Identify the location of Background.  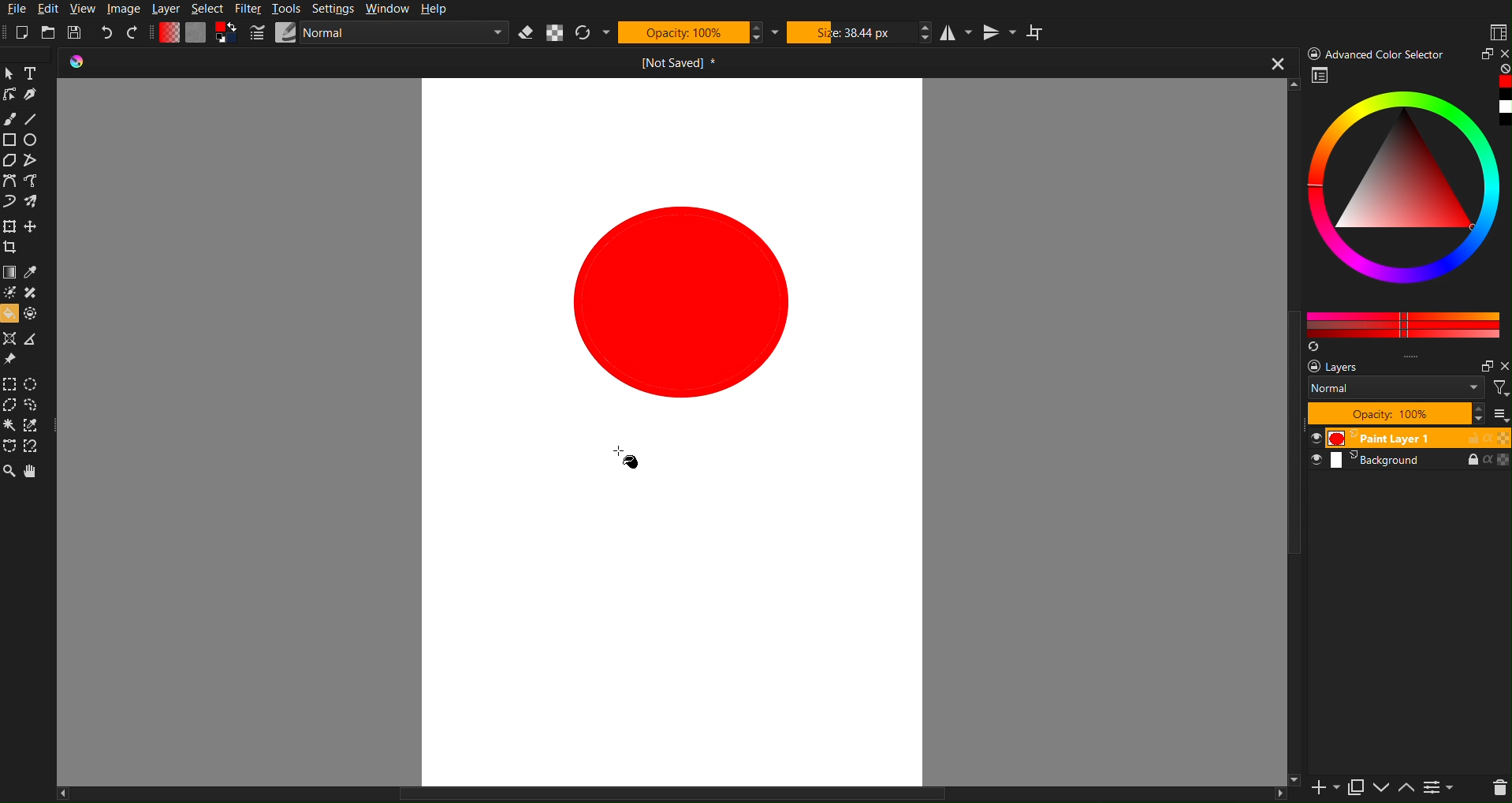
(1411, 461).